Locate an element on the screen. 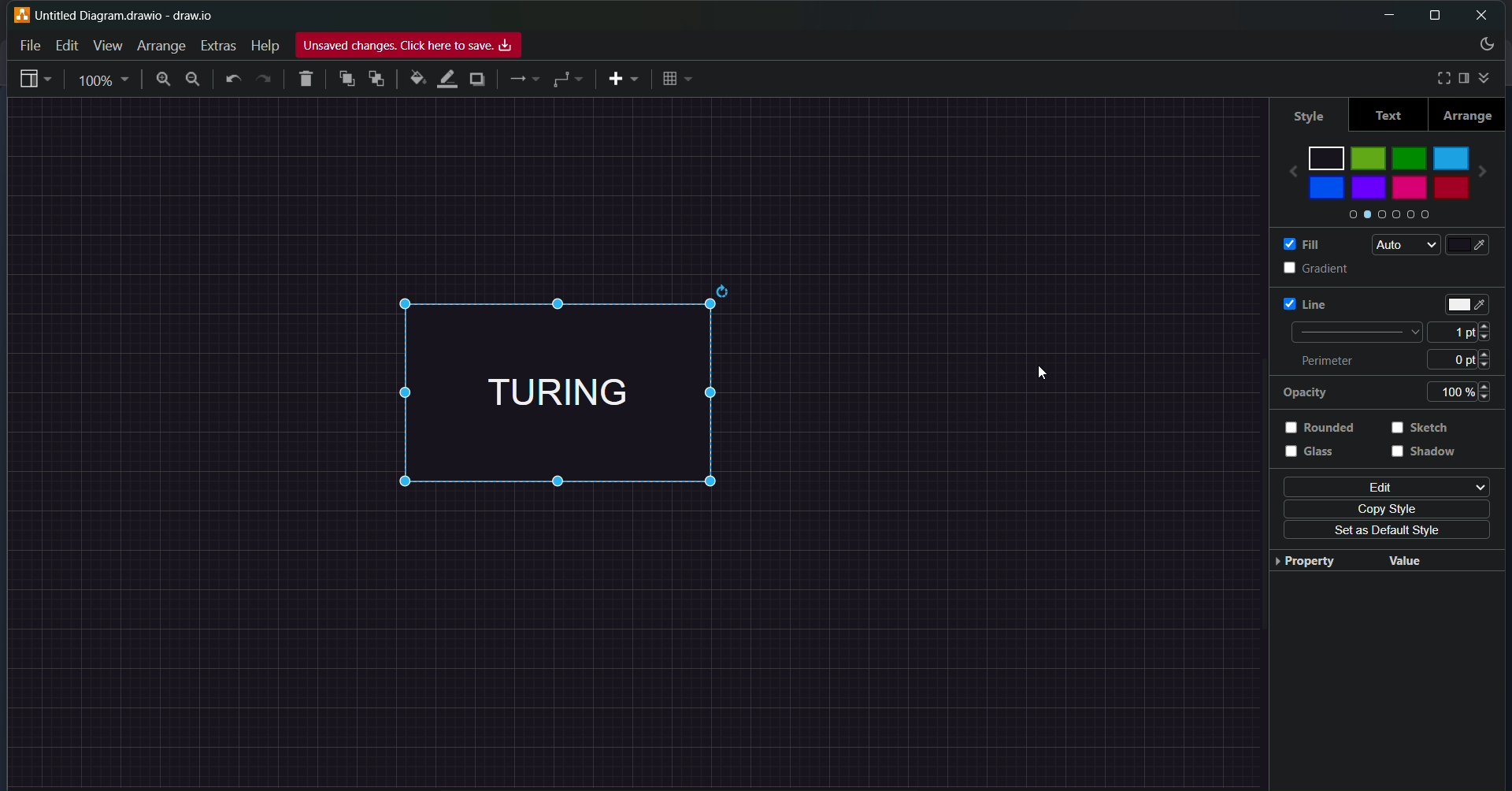 This screenshot has height=791, width=1512. green is located at coordinates (1410, 155).